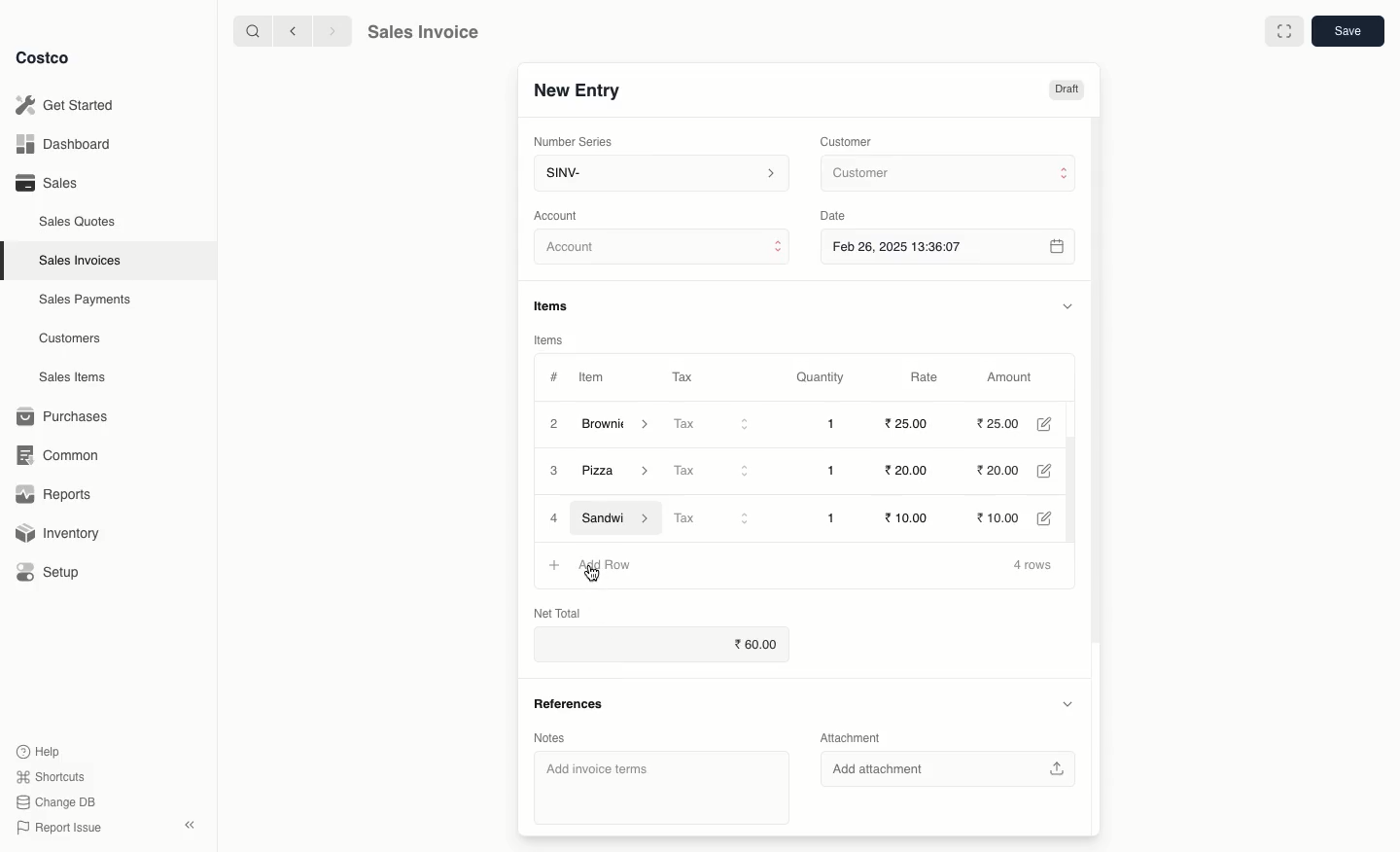 The image size is (1400, 852). Describe the element at coordinates (819, 378) in the screenshot. I see `Quantity` at that location.